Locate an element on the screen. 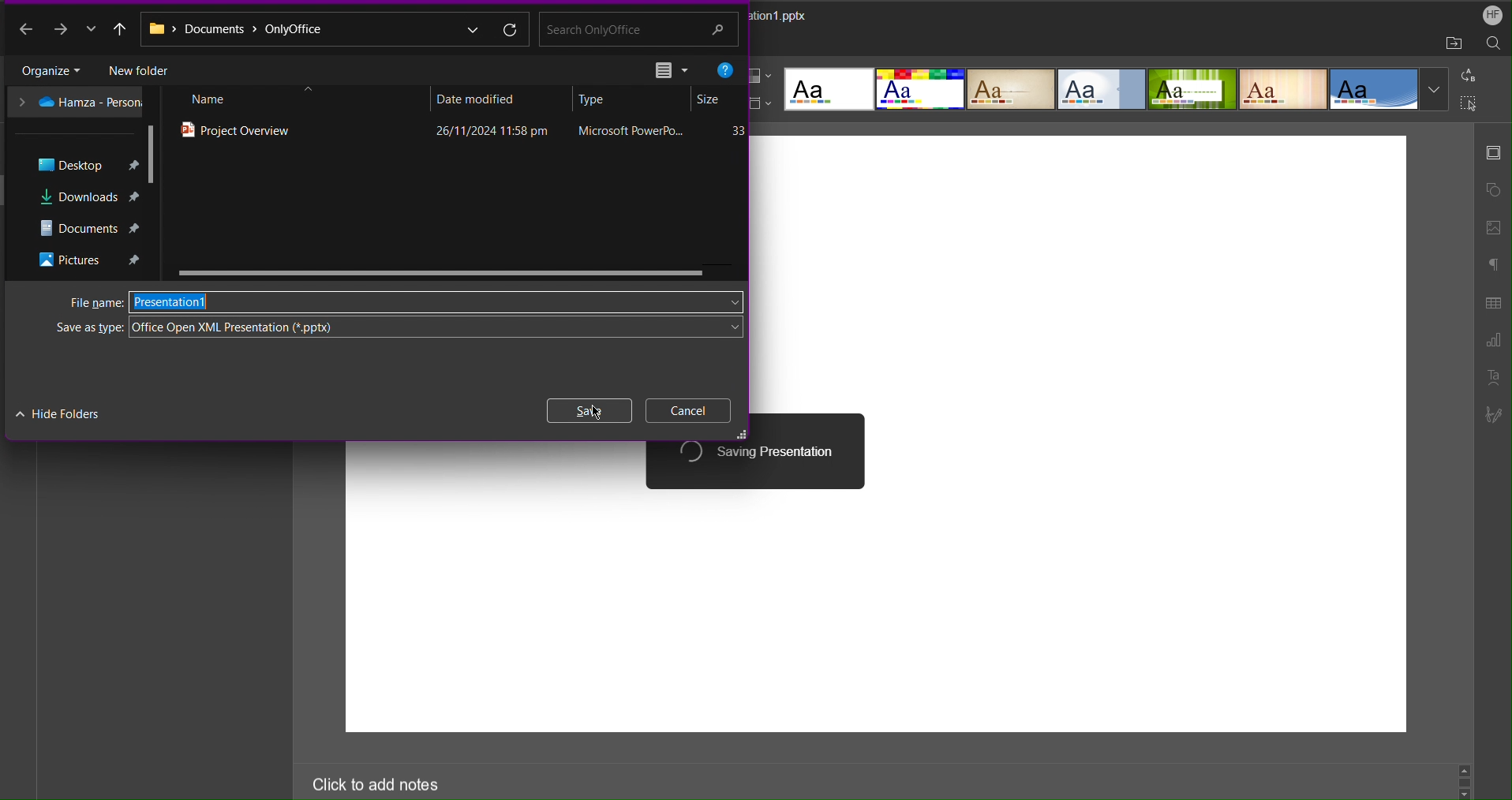  Next is located at coordinates (61, 28).